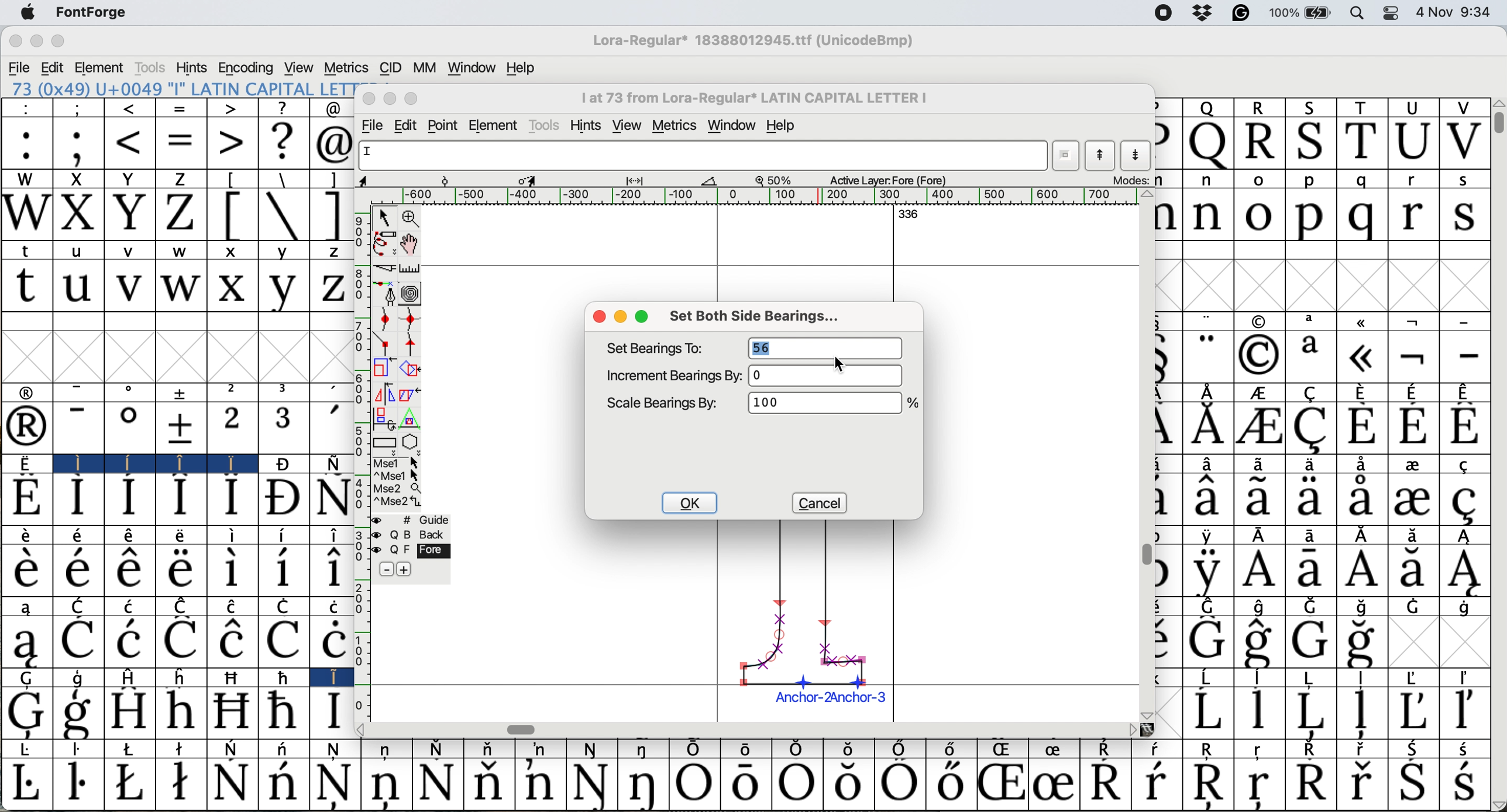 Image resolution: width=1507 pixels, height=812 pixels. I want to click on V, so click(1462, 108).